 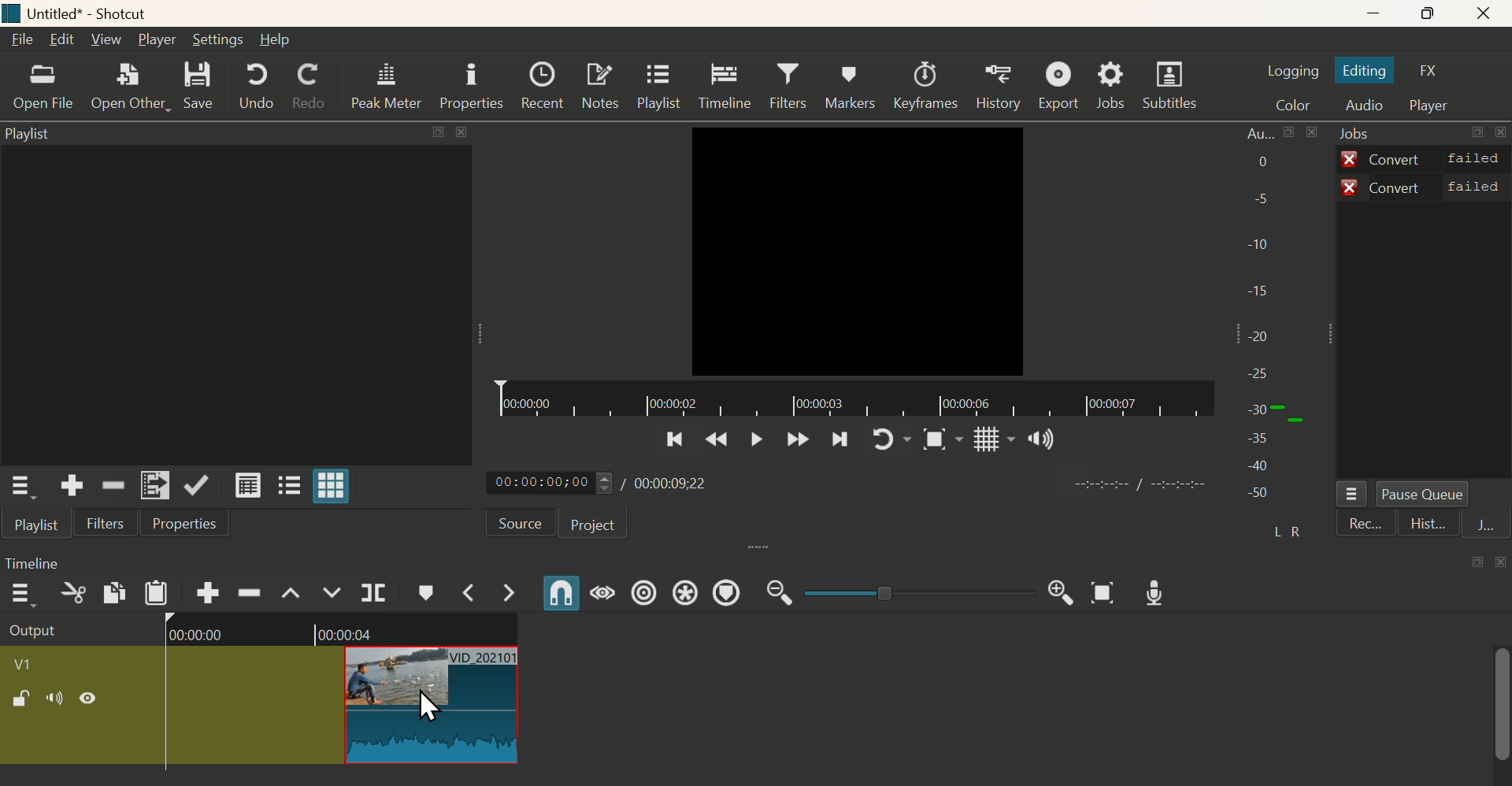 I want to click on Setting, so click(x=221, y=40).